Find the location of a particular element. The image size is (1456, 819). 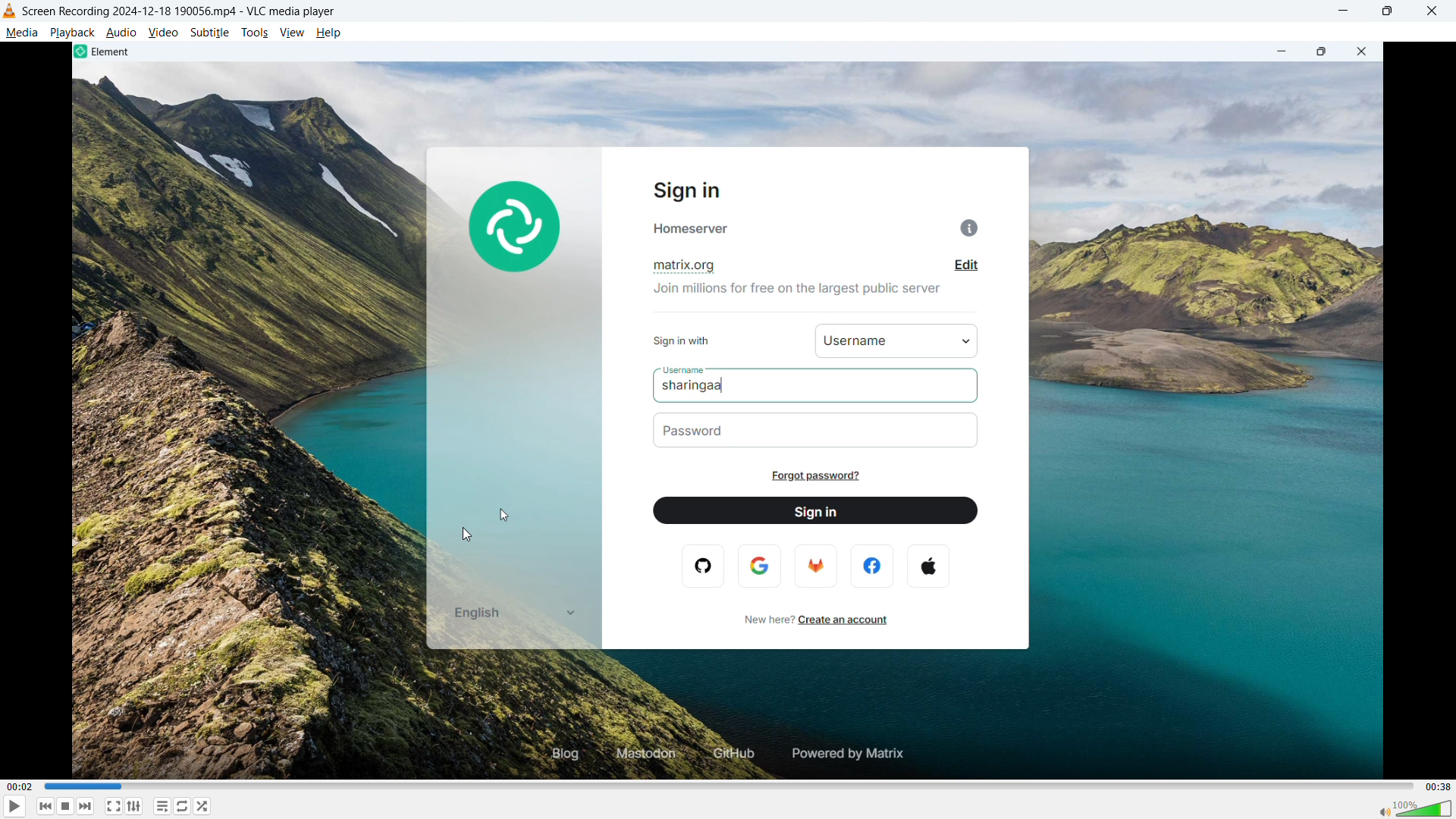

VLC Logo  is located at coordinates (9, 11).